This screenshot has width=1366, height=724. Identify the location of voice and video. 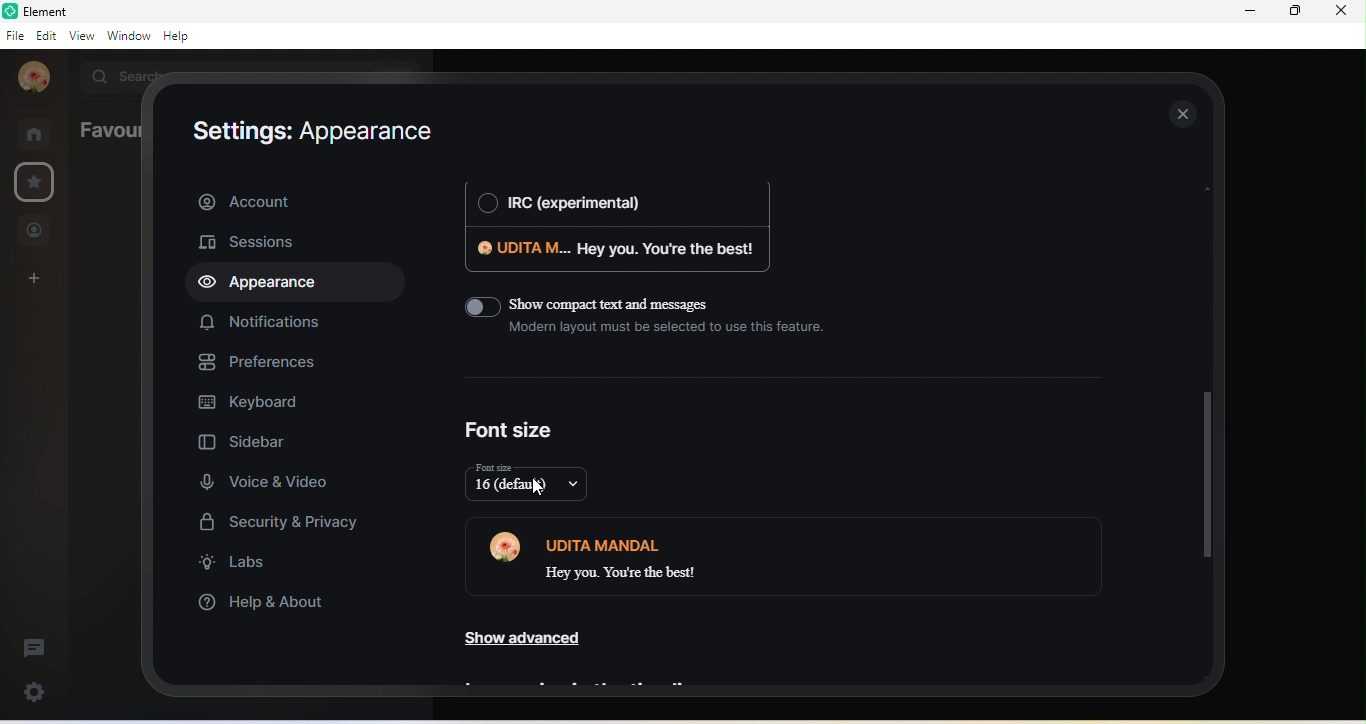
(270, 479).